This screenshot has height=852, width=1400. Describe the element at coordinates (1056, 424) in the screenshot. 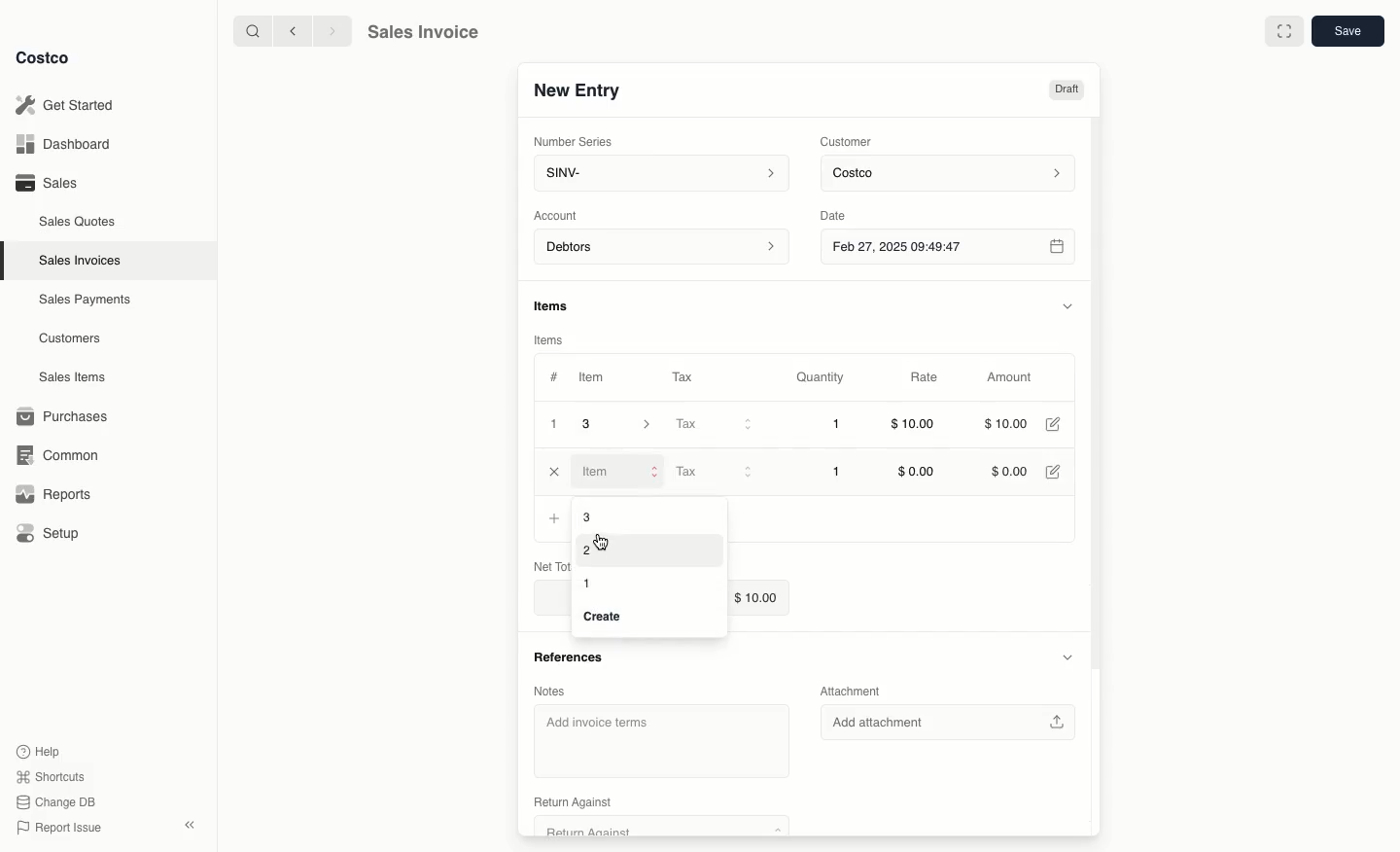

I see `Edit` at that location.